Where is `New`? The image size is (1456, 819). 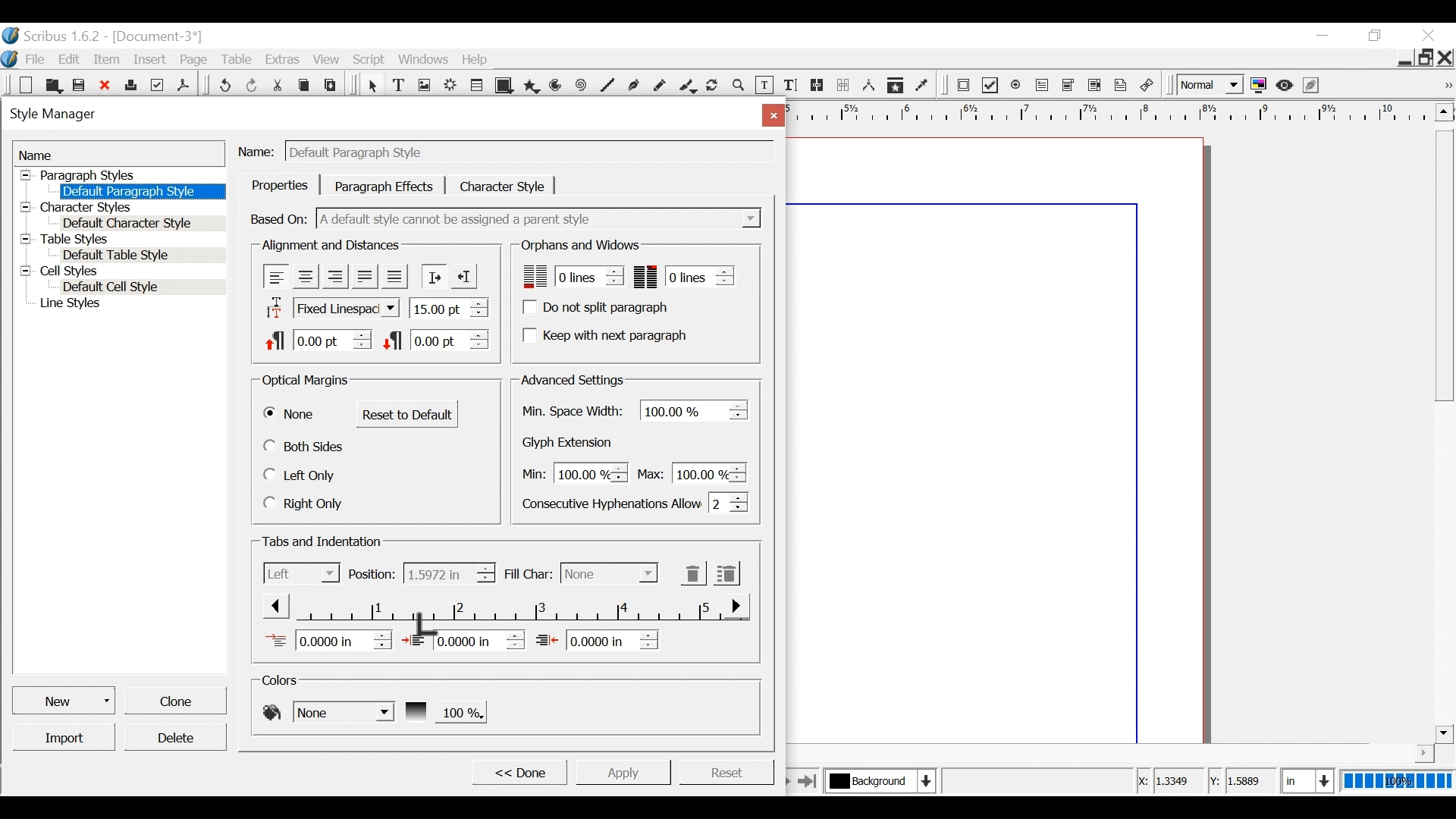 New is located at coordinates (65, 699).